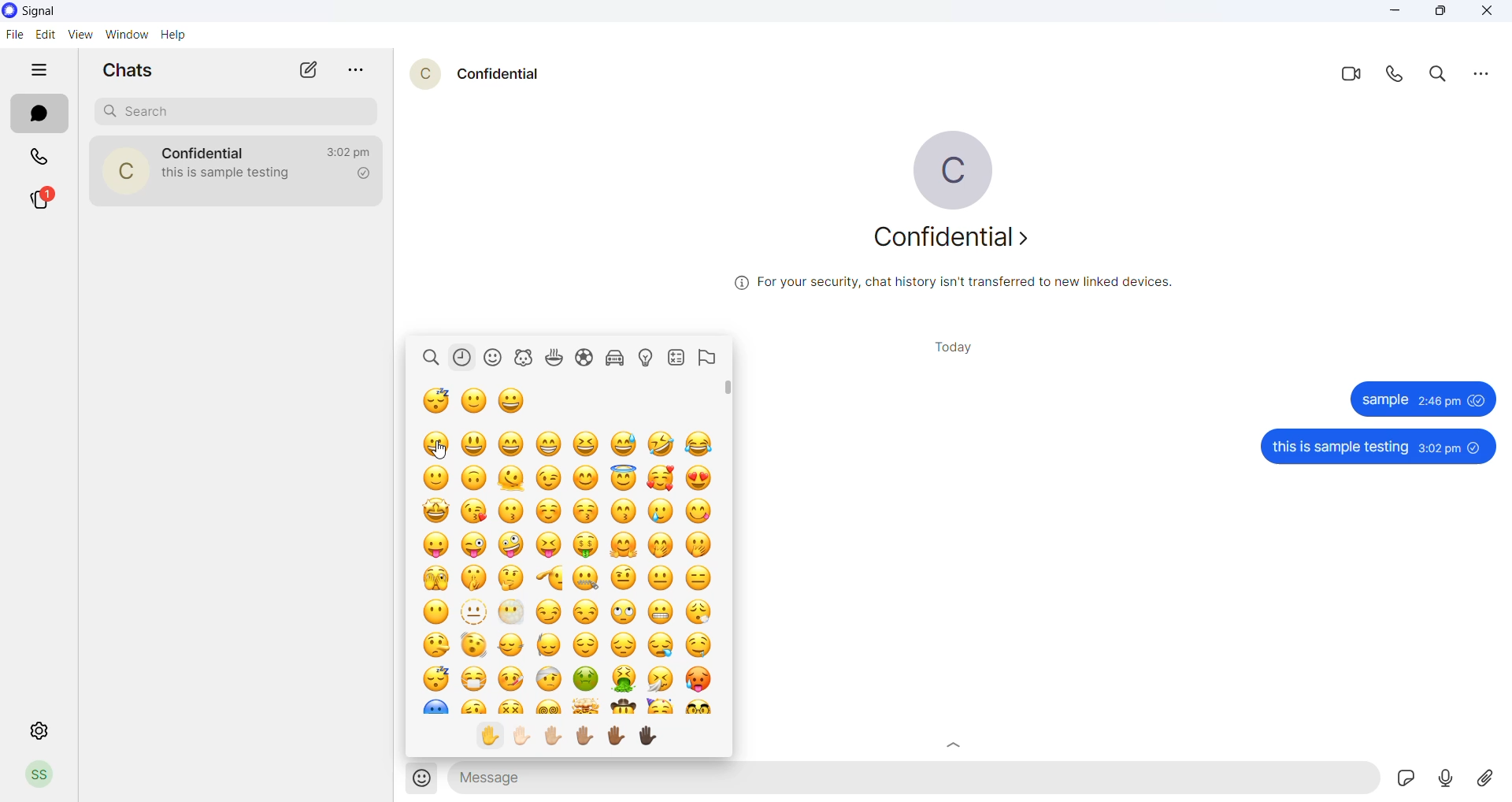 This screenshot has height=802, width=1512. I want to click on edit, so click(46, 33).